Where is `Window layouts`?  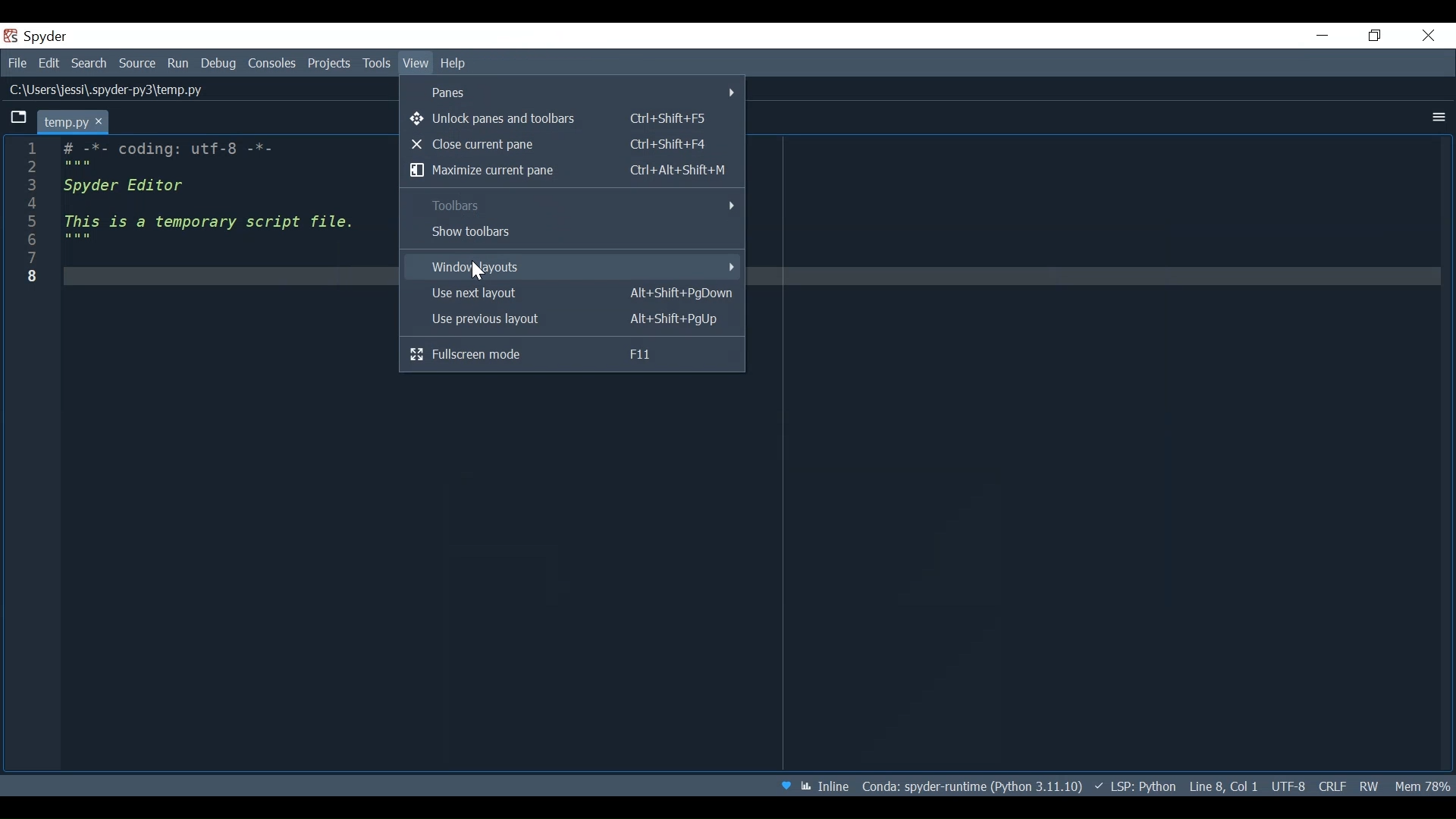
Window layouts is located at coordinates (570, 266).